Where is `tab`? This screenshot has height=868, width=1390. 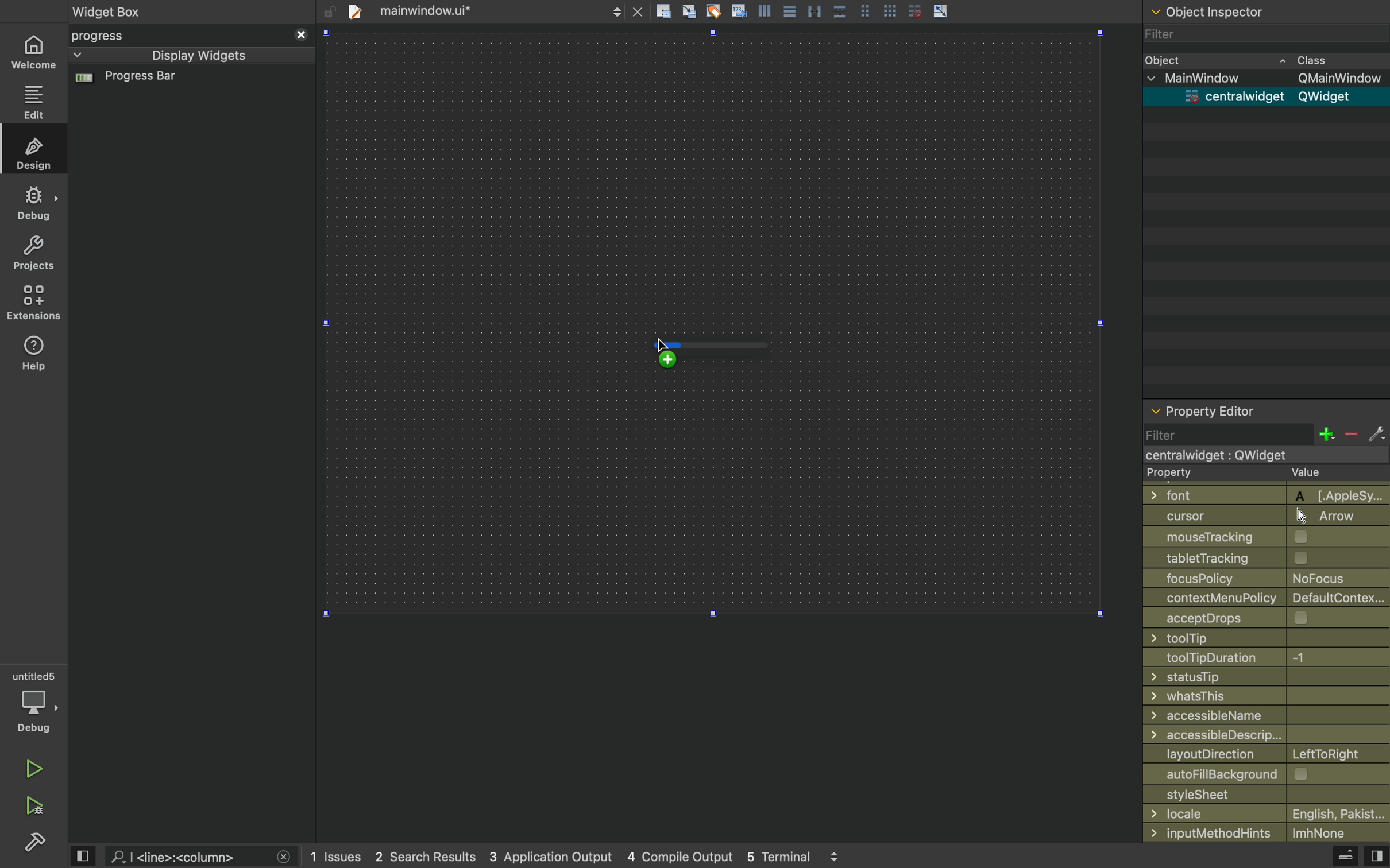 tab is located at coordinates (492, 10).